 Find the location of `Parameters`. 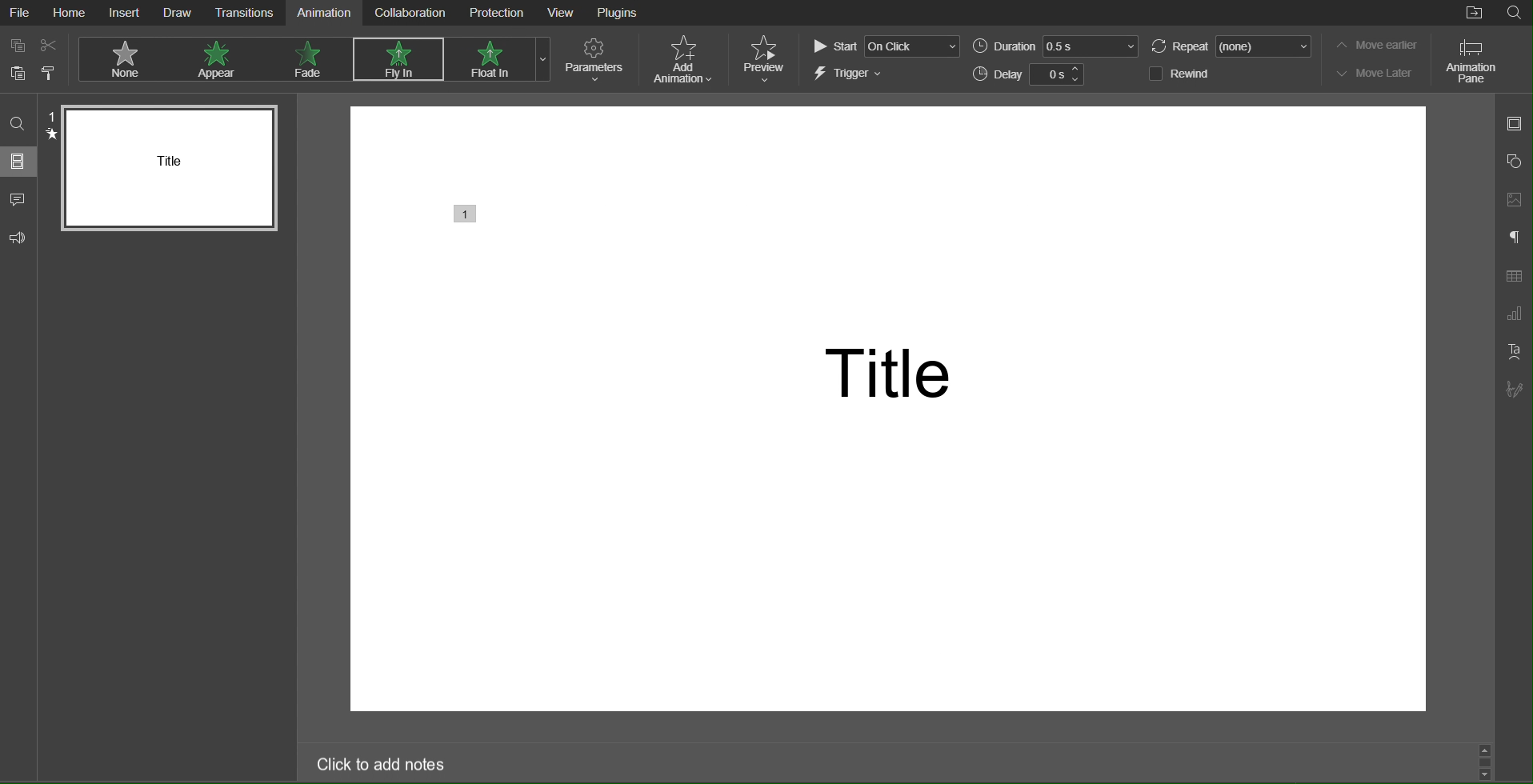

Parameters is located at coordinates (597, 61).